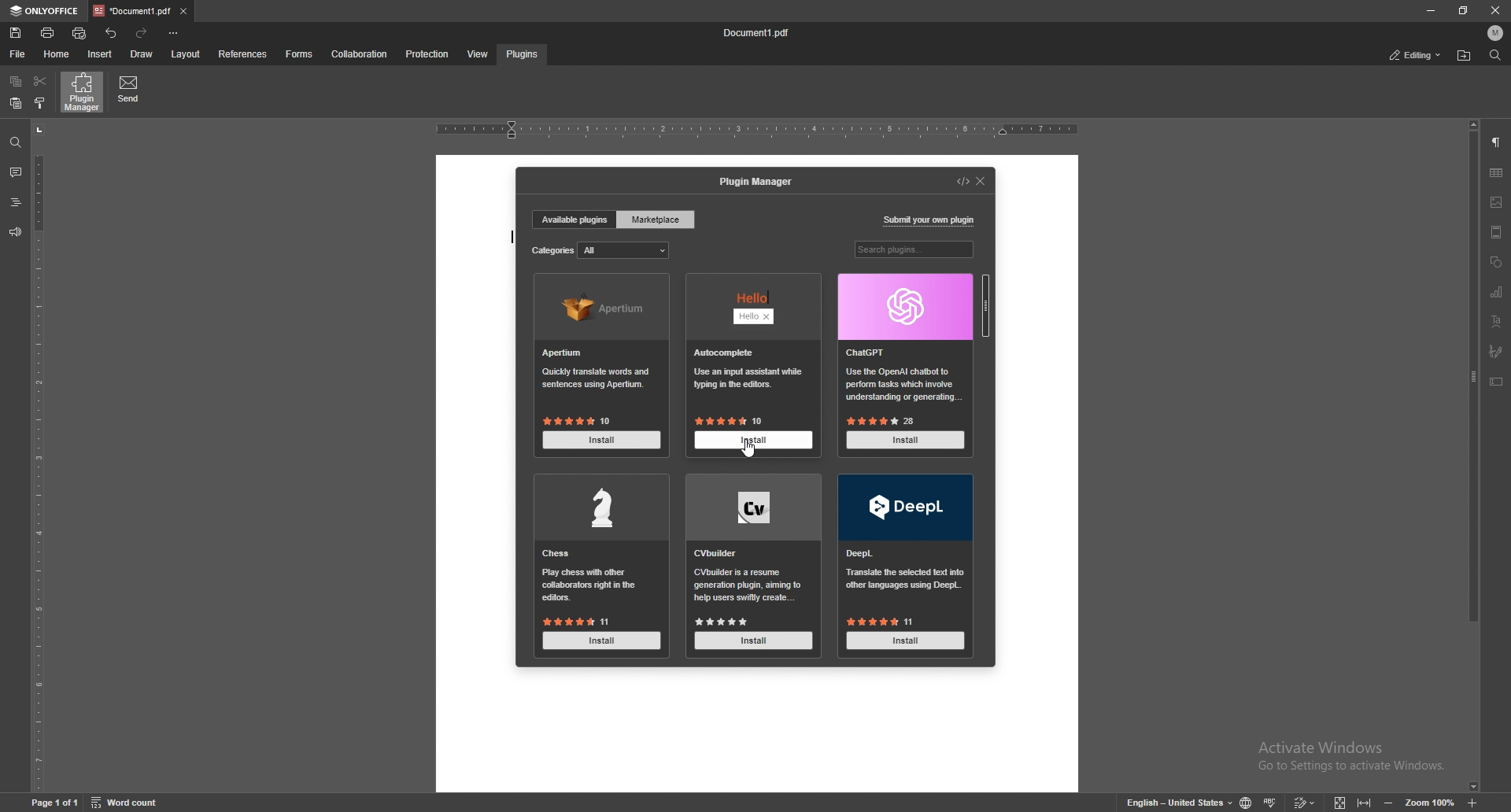 The width and height of the screenshot is (1511, 812). What do you see at coordinates (1498, 32) in the screenshot?
I see `profile` at bounding box center [1498, 32].